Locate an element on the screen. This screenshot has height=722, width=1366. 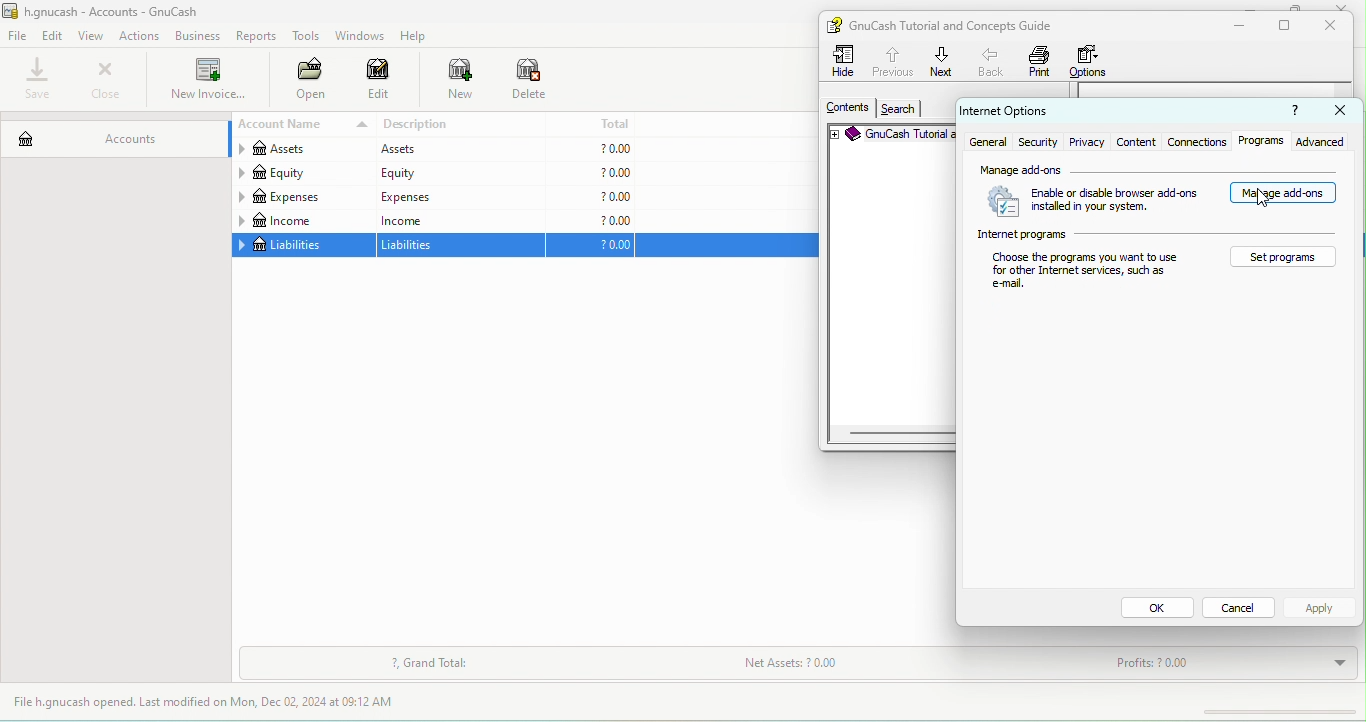
internet options is located at coordinates (1037, 112).